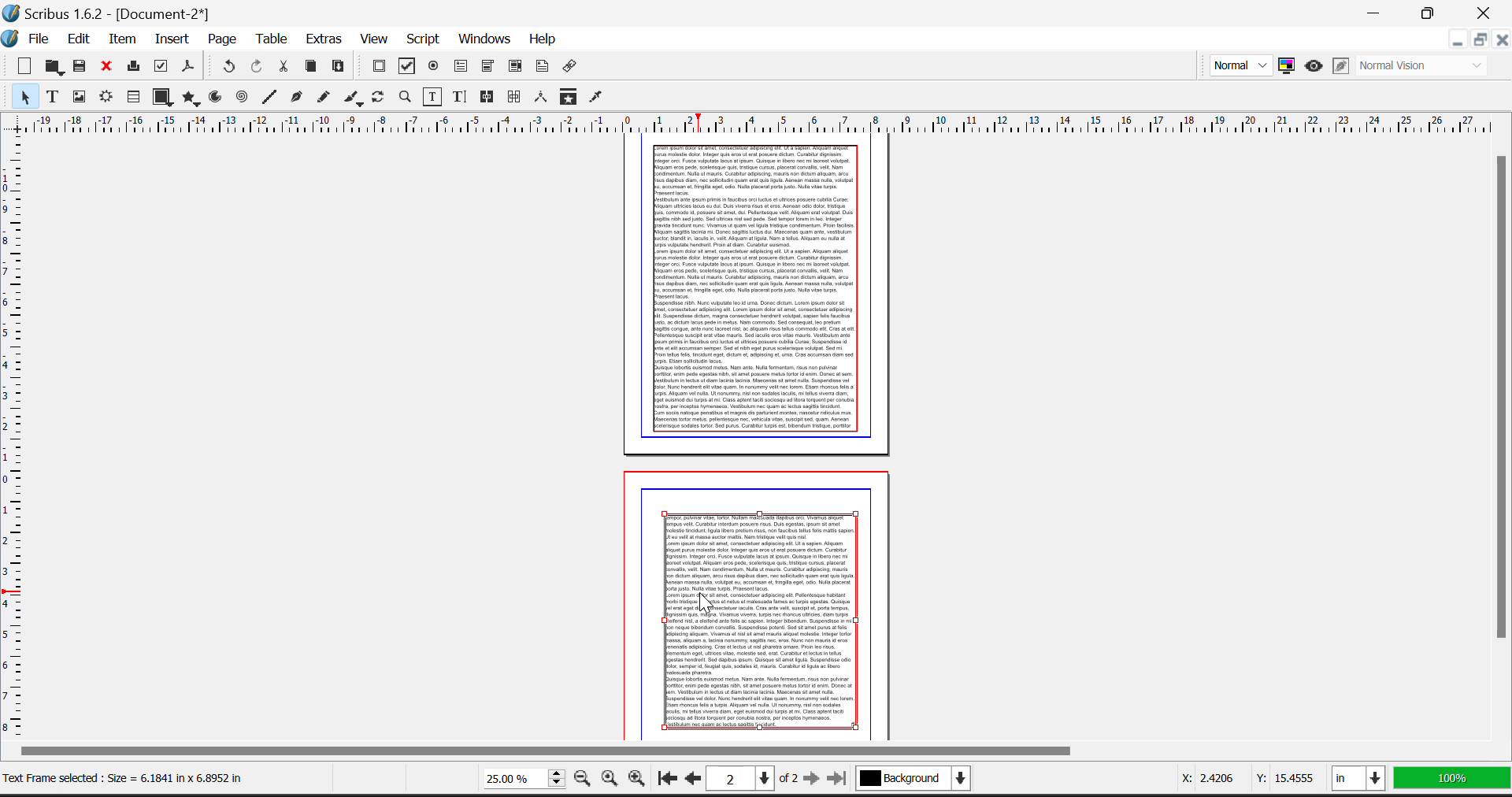 The width and height of the screenshot is (1512, 797). What do you see at coordinates (544, 68) in the screenshot?
I see `Text Annotation` at bounding box center [544, 68].